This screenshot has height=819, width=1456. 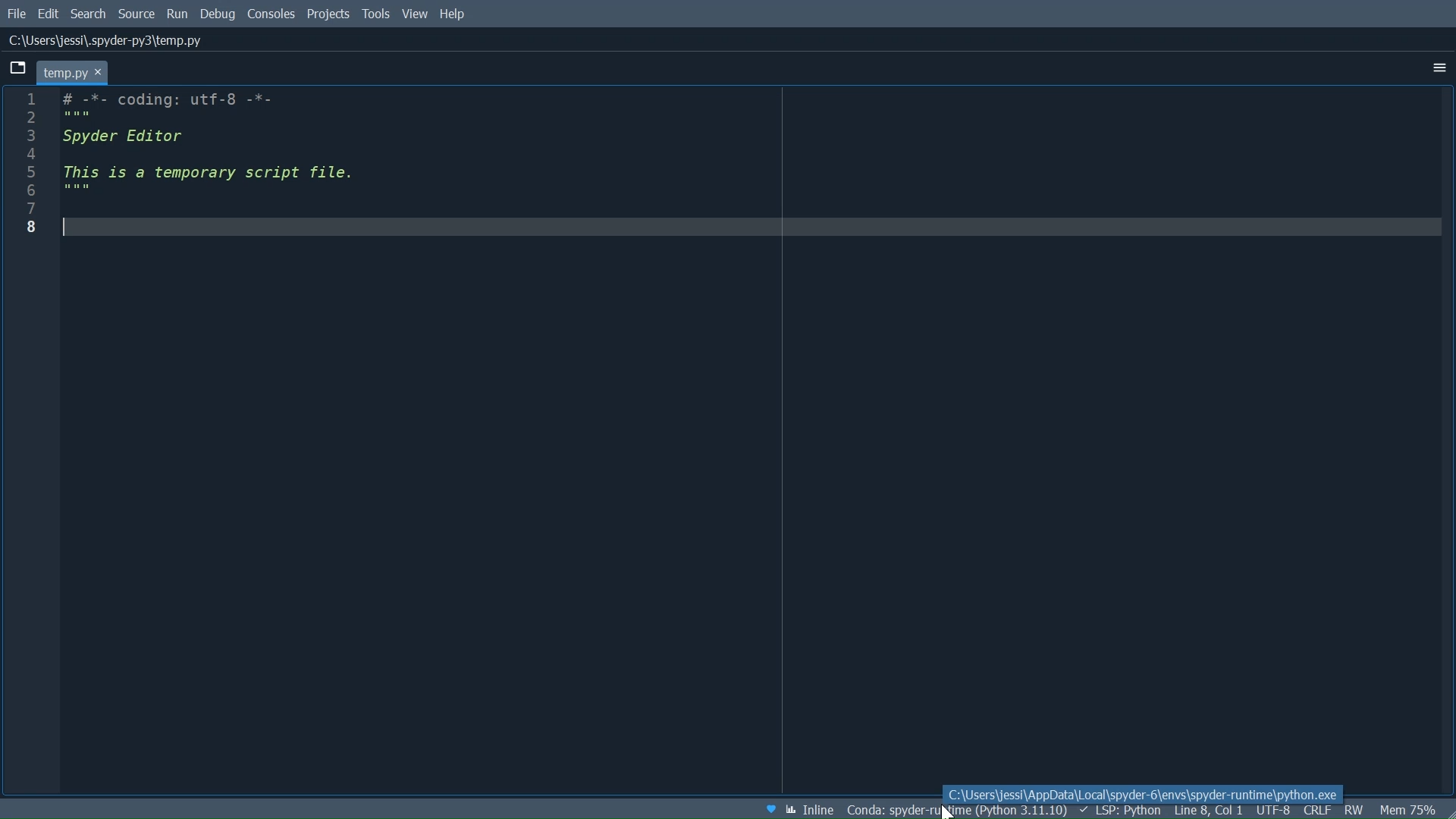 I want to click on Help Spyder, so click(x=770, y=810).